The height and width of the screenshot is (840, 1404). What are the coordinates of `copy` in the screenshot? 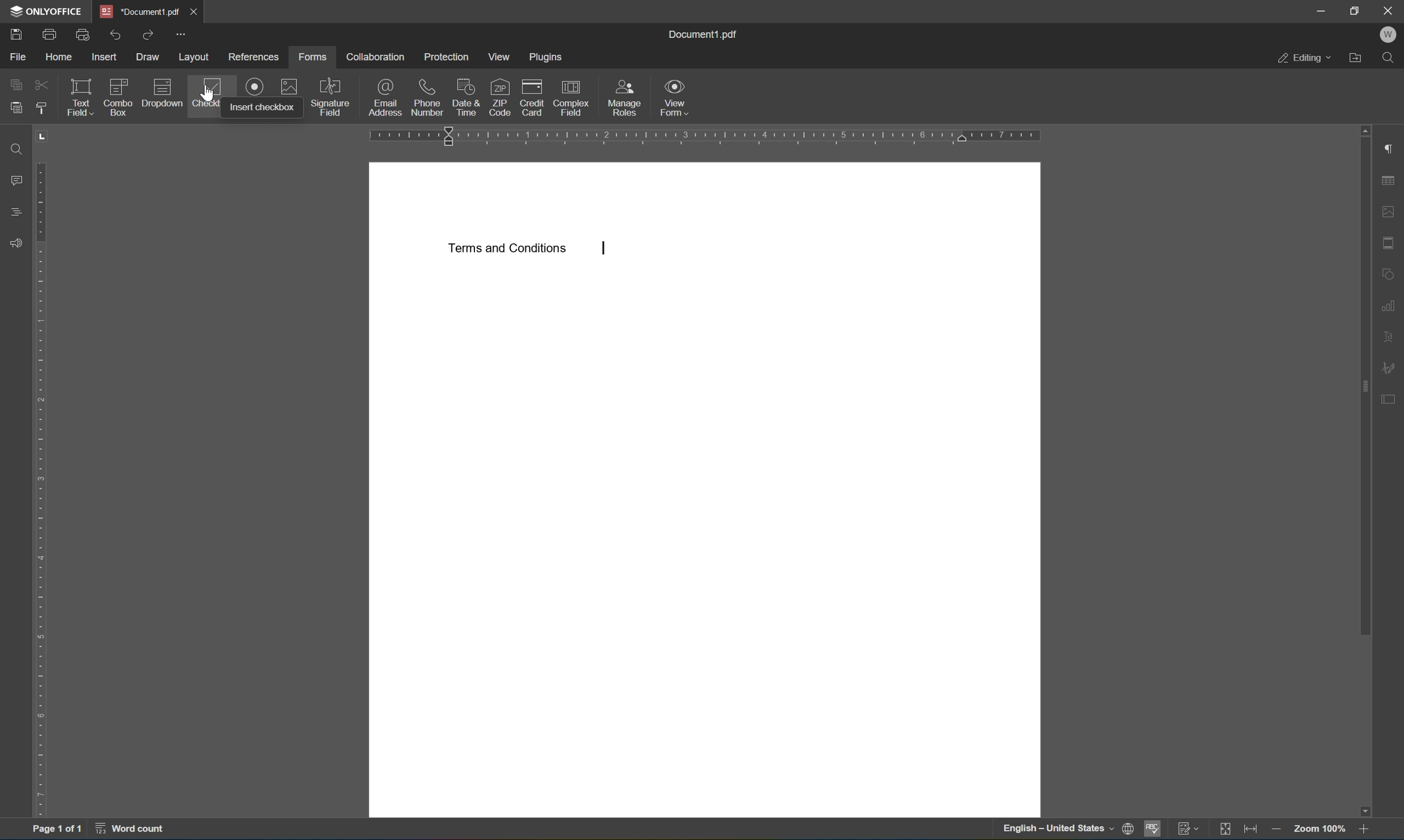 It's located at (17, 84).